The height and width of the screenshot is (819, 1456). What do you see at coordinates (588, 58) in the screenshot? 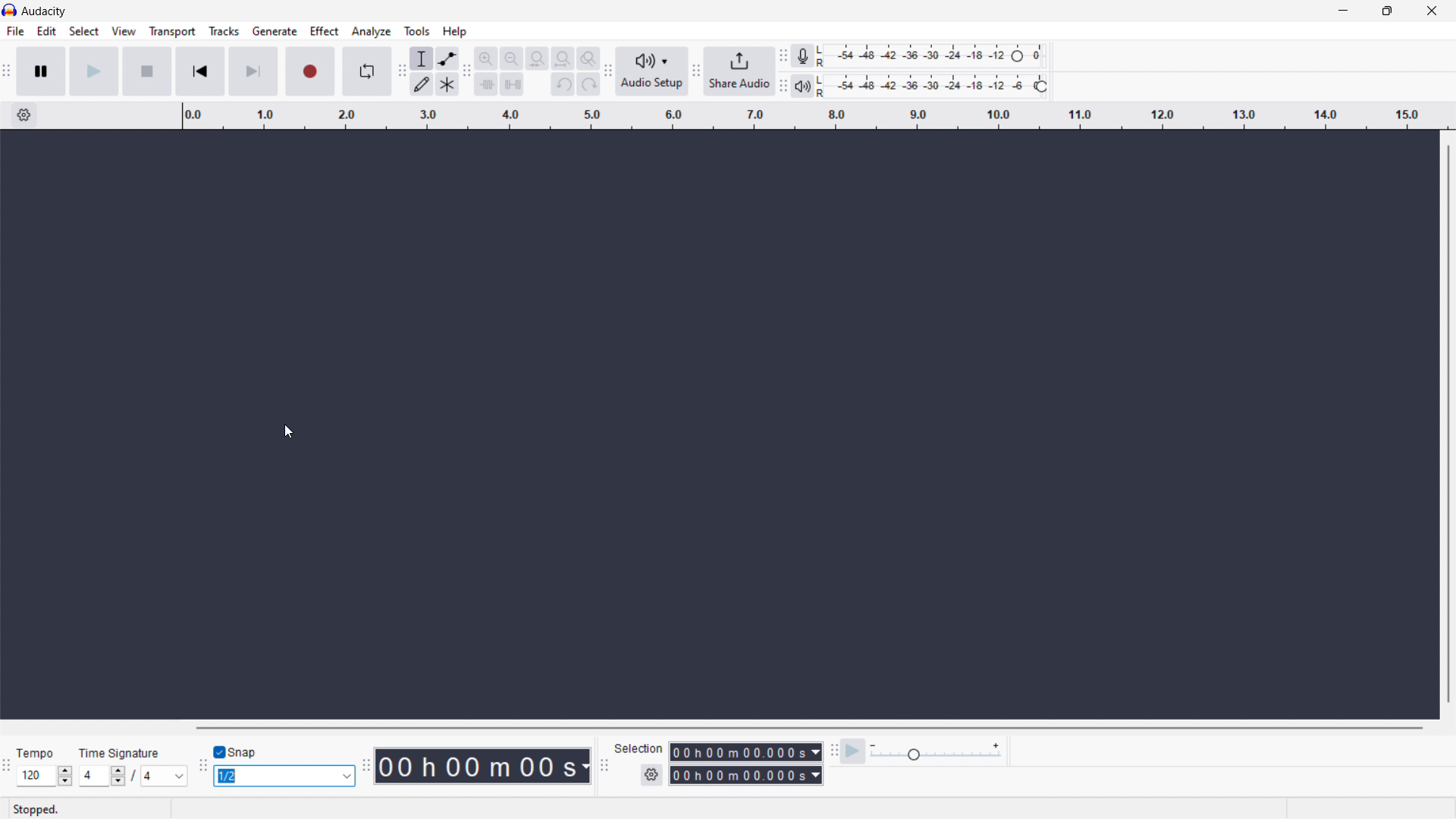
I see `toggle zoom` at bounding box center [588, 58].